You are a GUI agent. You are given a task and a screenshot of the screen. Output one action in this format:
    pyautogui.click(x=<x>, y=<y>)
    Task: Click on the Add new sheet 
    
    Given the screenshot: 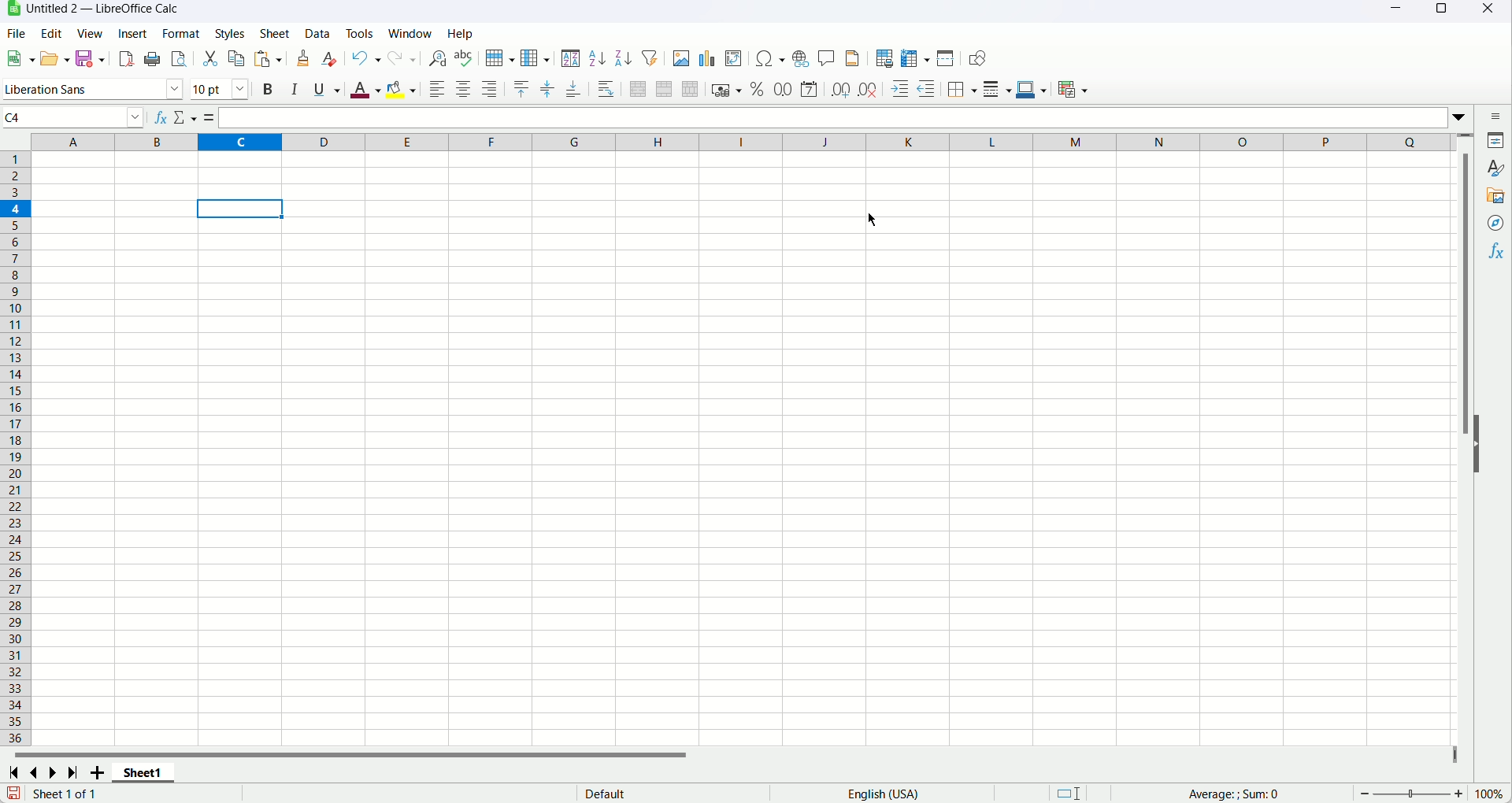 What is the action you would take?
    pyautogui.click(x=97, y=775)
    